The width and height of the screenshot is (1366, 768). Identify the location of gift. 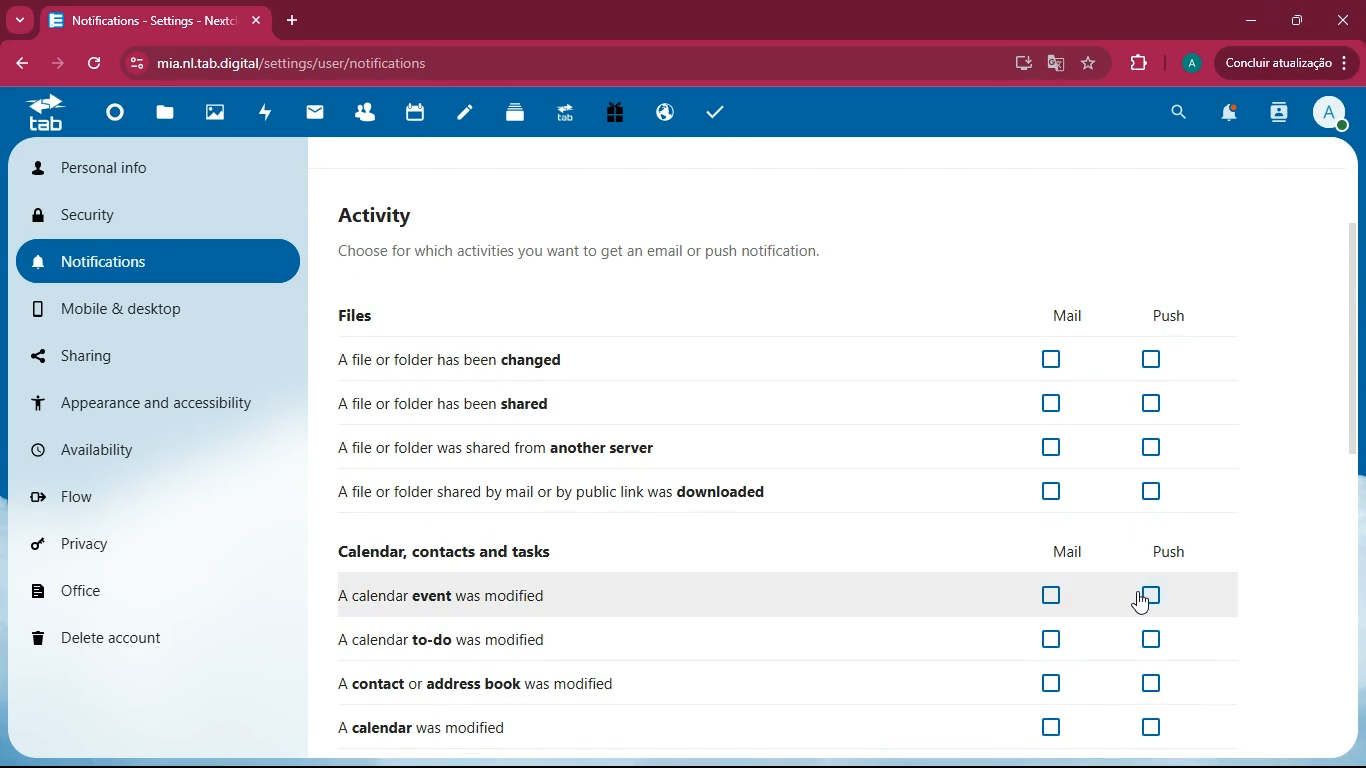
(616, 114).